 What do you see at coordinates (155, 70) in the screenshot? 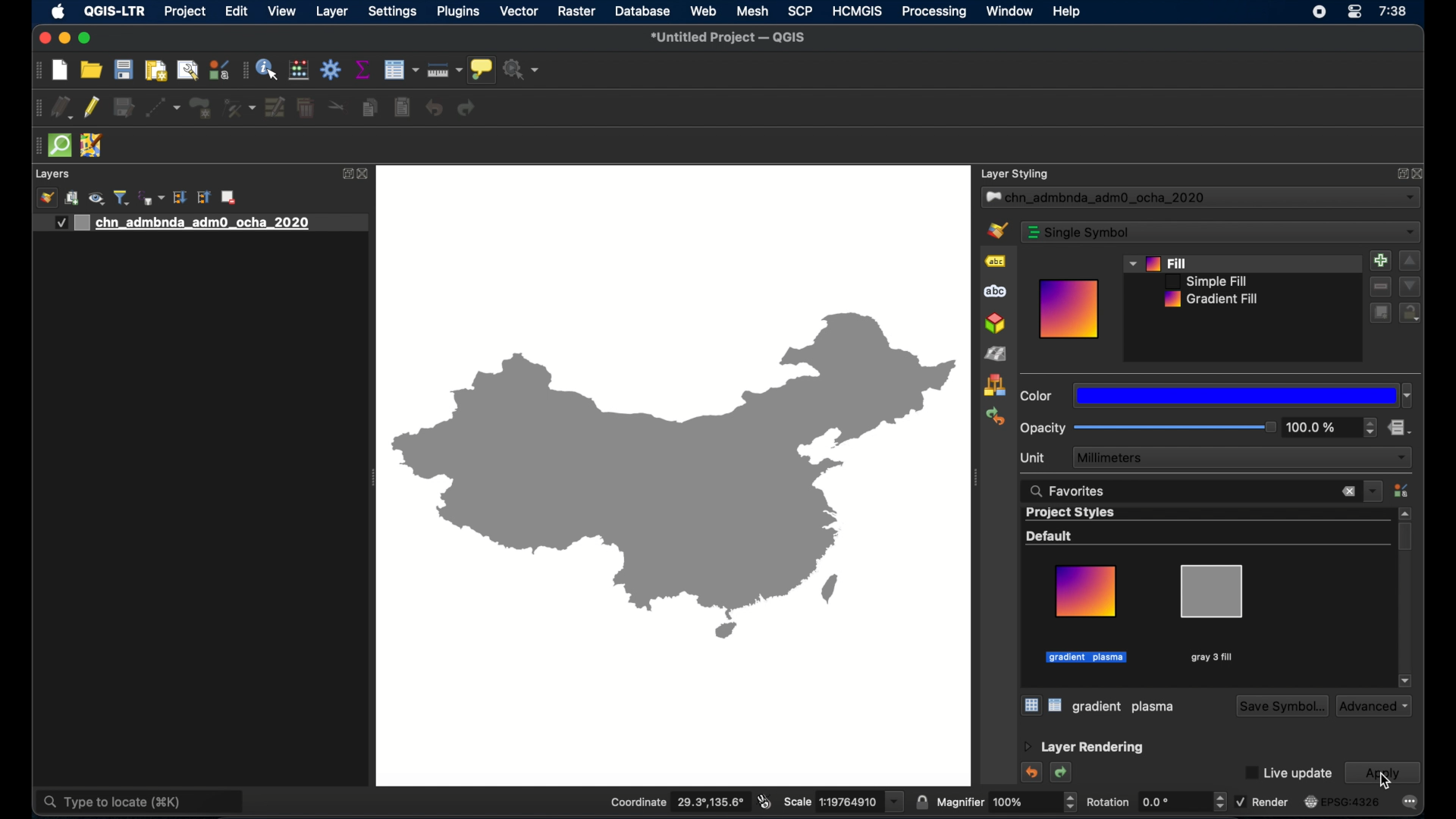
I see `print layout` at bounding box center [155, 70].